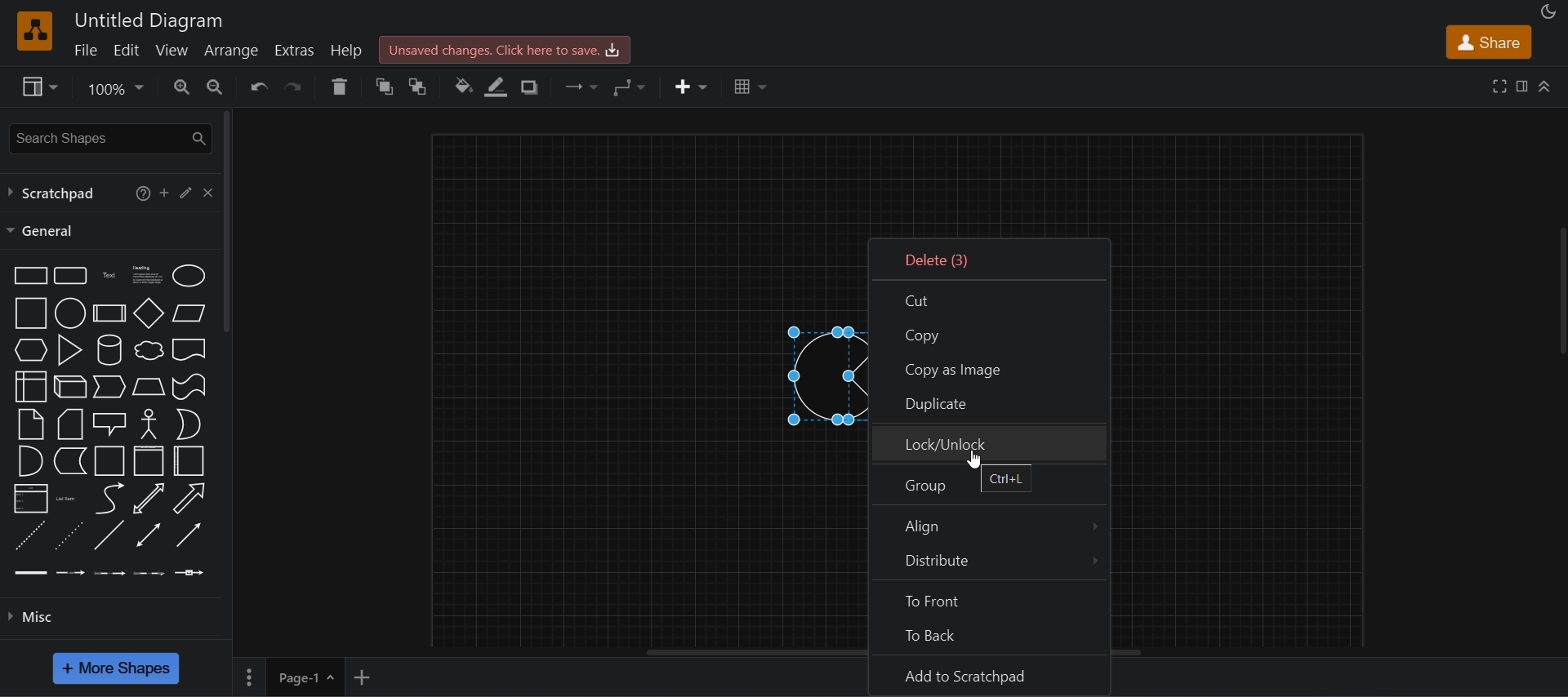 The height and width of the screenshot is (697, 1568). I want to click on add, so click(164, 192).